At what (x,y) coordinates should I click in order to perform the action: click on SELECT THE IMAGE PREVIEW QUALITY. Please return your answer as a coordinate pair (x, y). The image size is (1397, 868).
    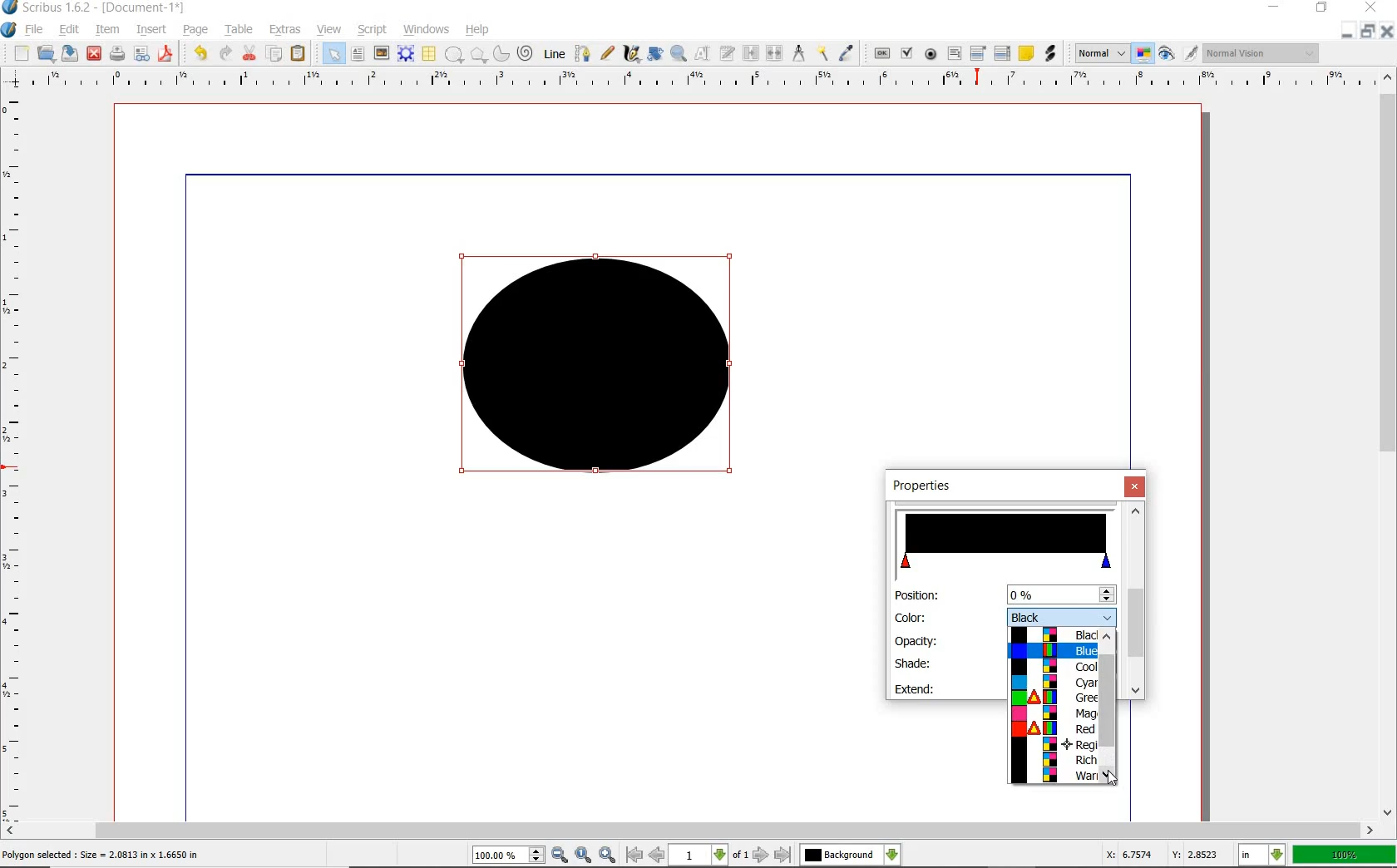
    Looking at the image, I should click on (1102, 53).